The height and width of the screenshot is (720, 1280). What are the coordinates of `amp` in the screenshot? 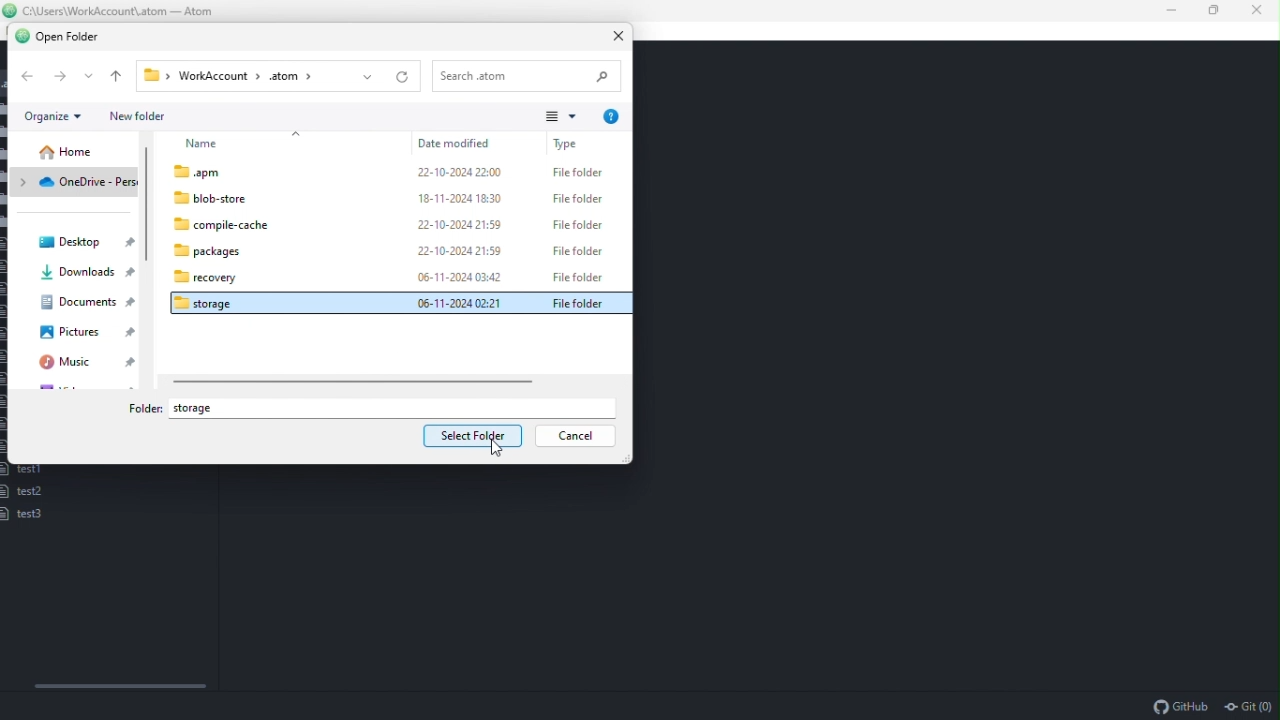 It's located at (390, 171).